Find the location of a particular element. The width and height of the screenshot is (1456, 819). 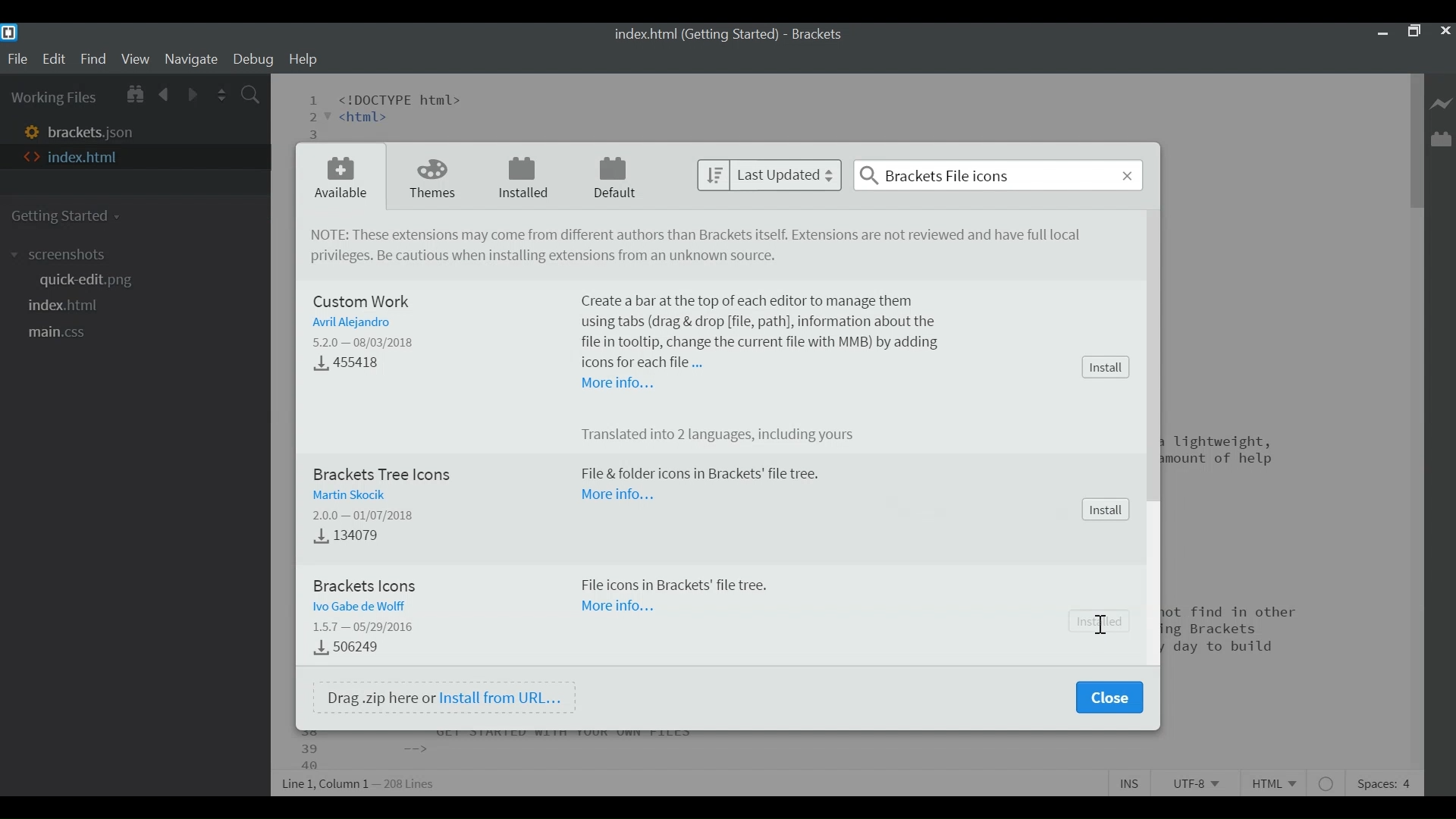

Help is located at coordinates (303, 60).